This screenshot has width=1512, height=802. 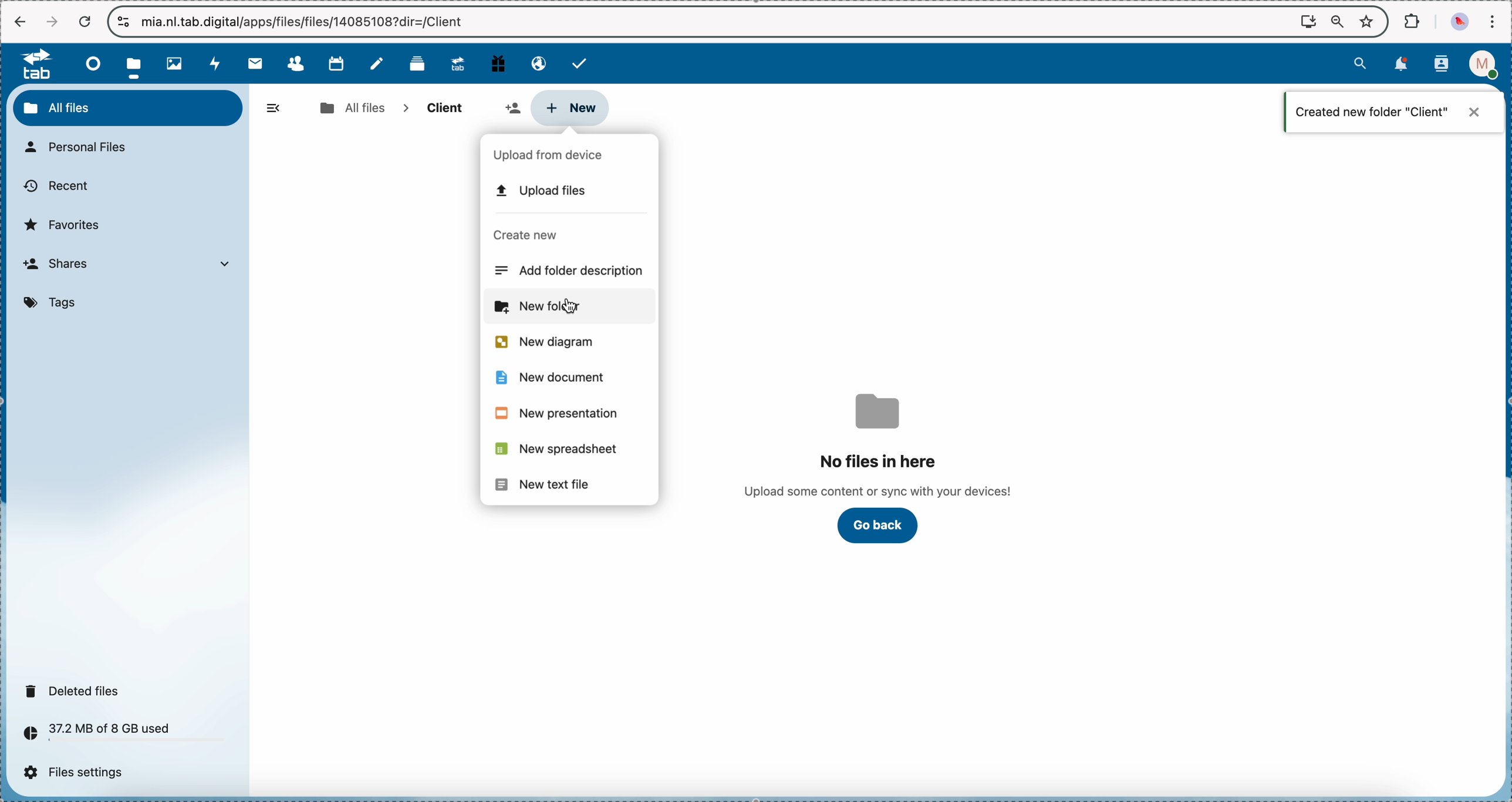 What do you see at coordinates (128, 107) in the screenshot?
I see `all files` at bounding box center [128, 107].